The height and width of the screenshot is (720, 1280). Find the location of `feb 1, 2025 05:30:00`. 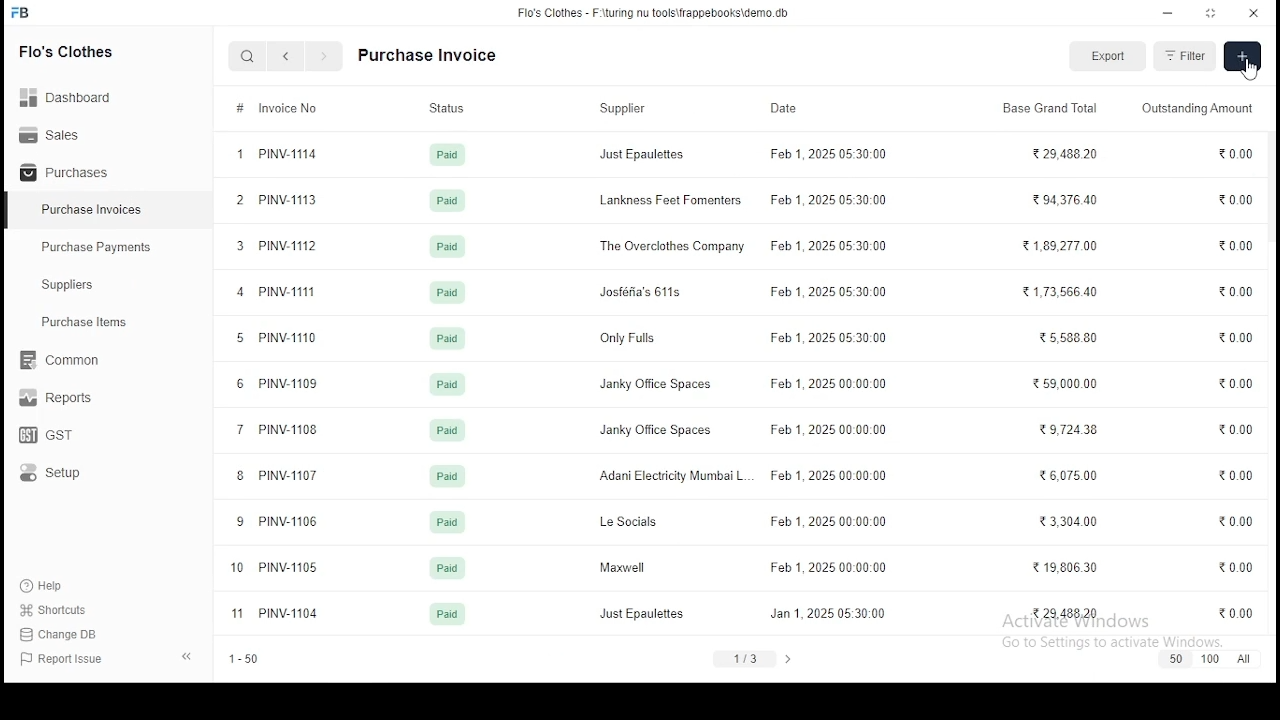

feb 1, 2025 05:30:00 is located at coordinates (836, 432).